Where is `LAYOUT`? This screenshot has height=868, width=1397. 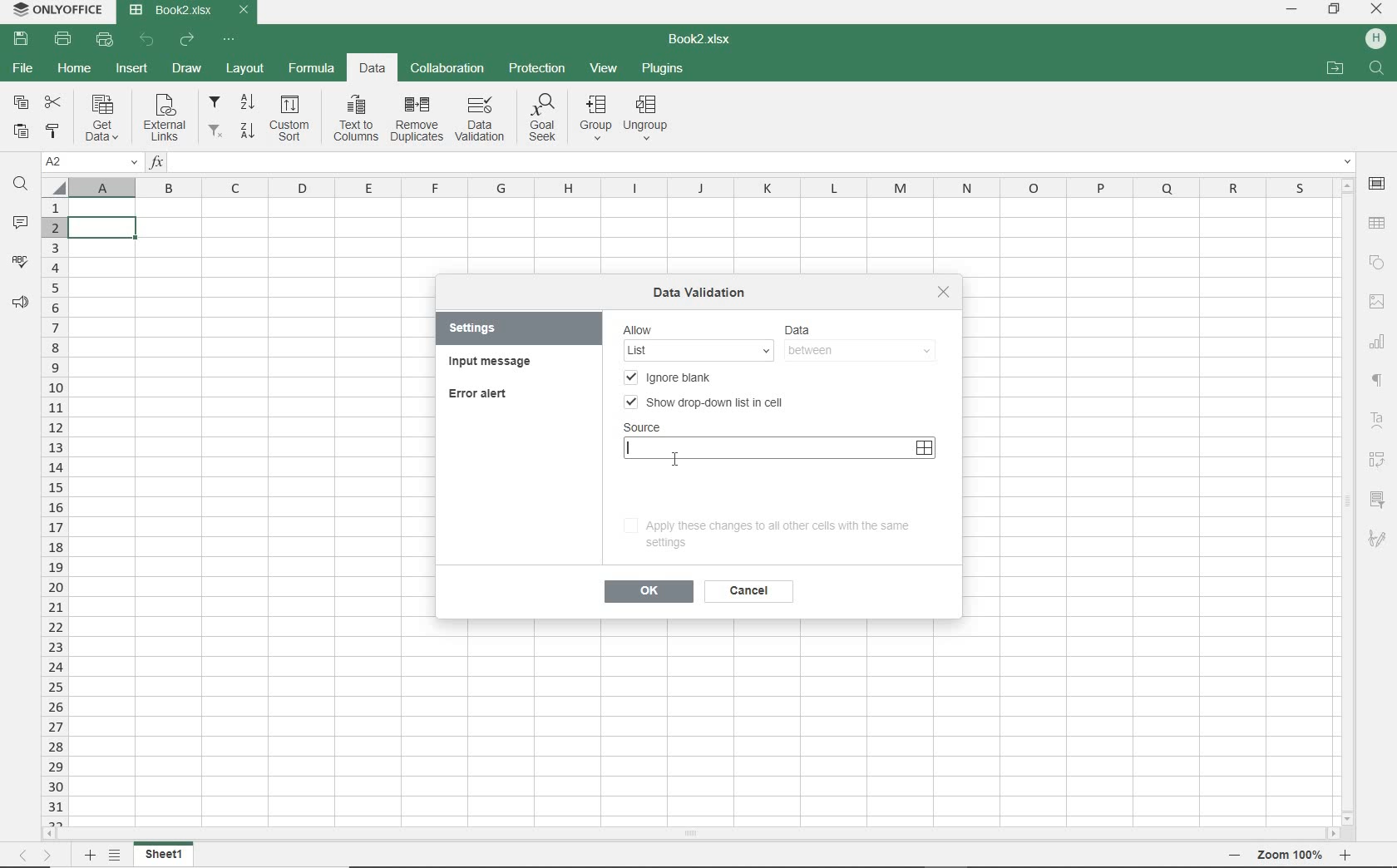 LAYOUT is located at coordinates (245, 68).